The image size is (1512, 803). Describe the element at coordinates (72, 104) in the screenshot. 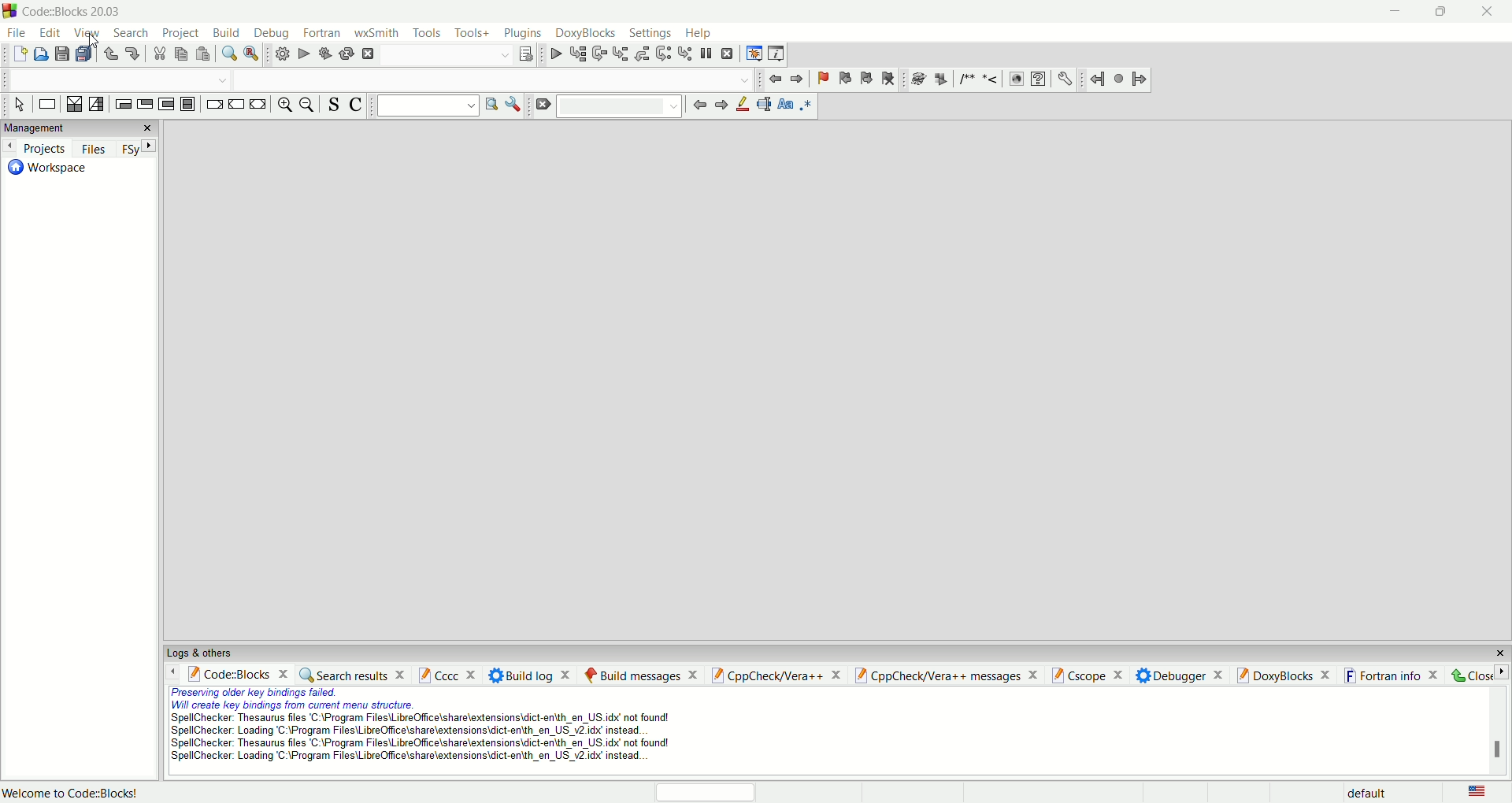

I see `decision` at that location.